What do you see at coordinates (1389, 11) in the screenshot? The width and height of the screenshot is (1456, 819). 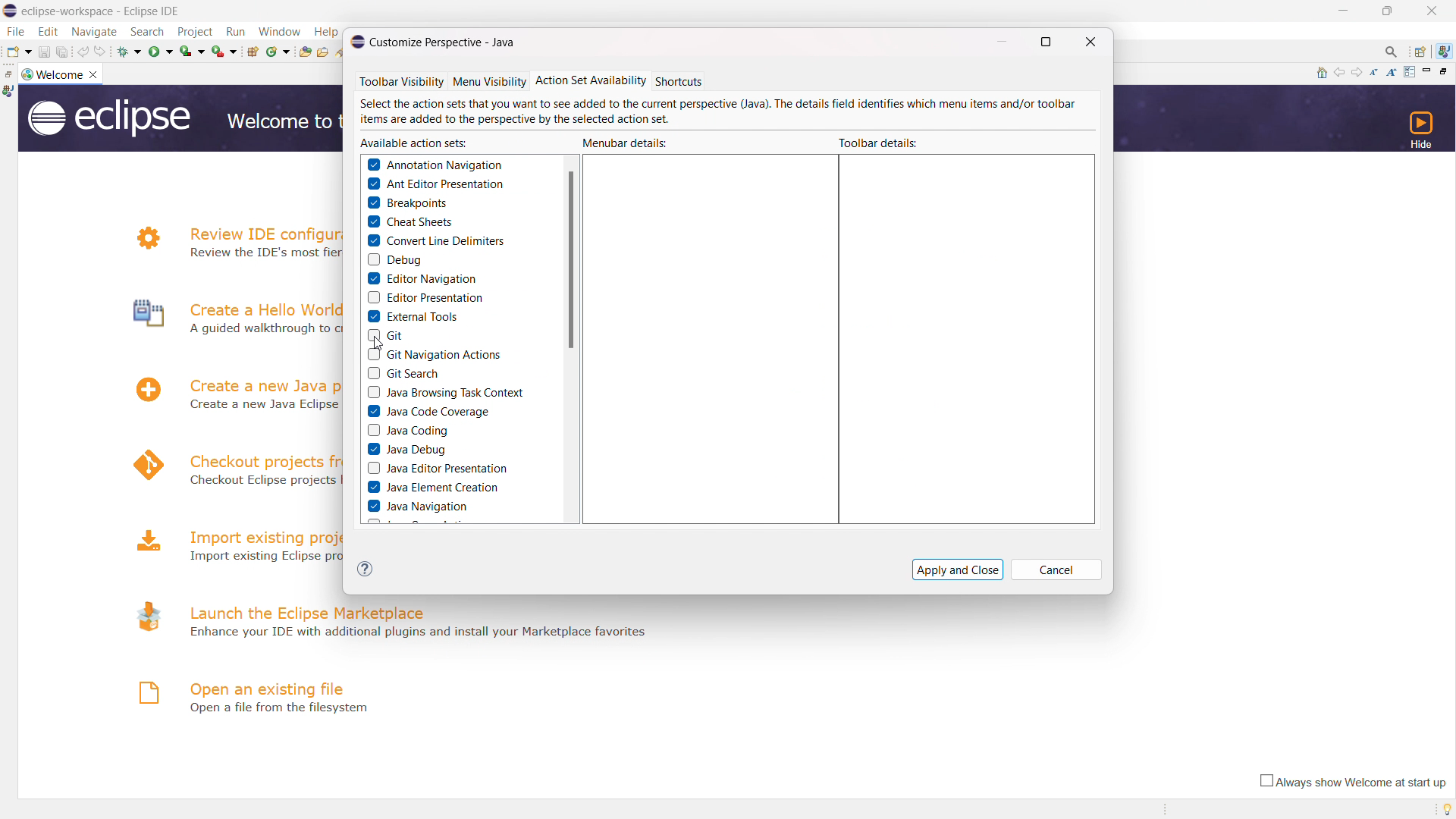 I see `maximize` at bounding box center [1389, 11].